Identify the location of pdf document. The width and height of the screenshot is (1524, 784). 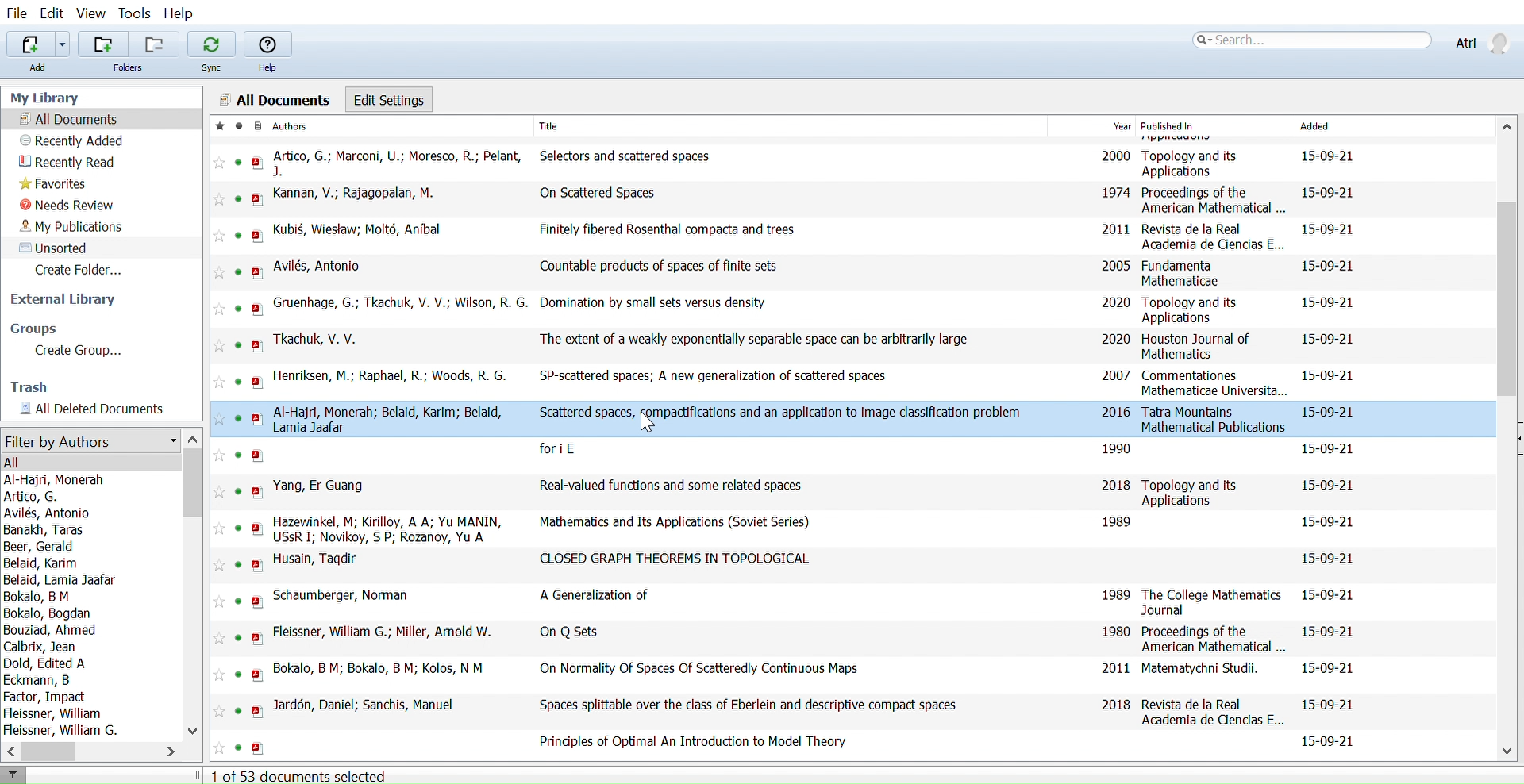
(258, 163).